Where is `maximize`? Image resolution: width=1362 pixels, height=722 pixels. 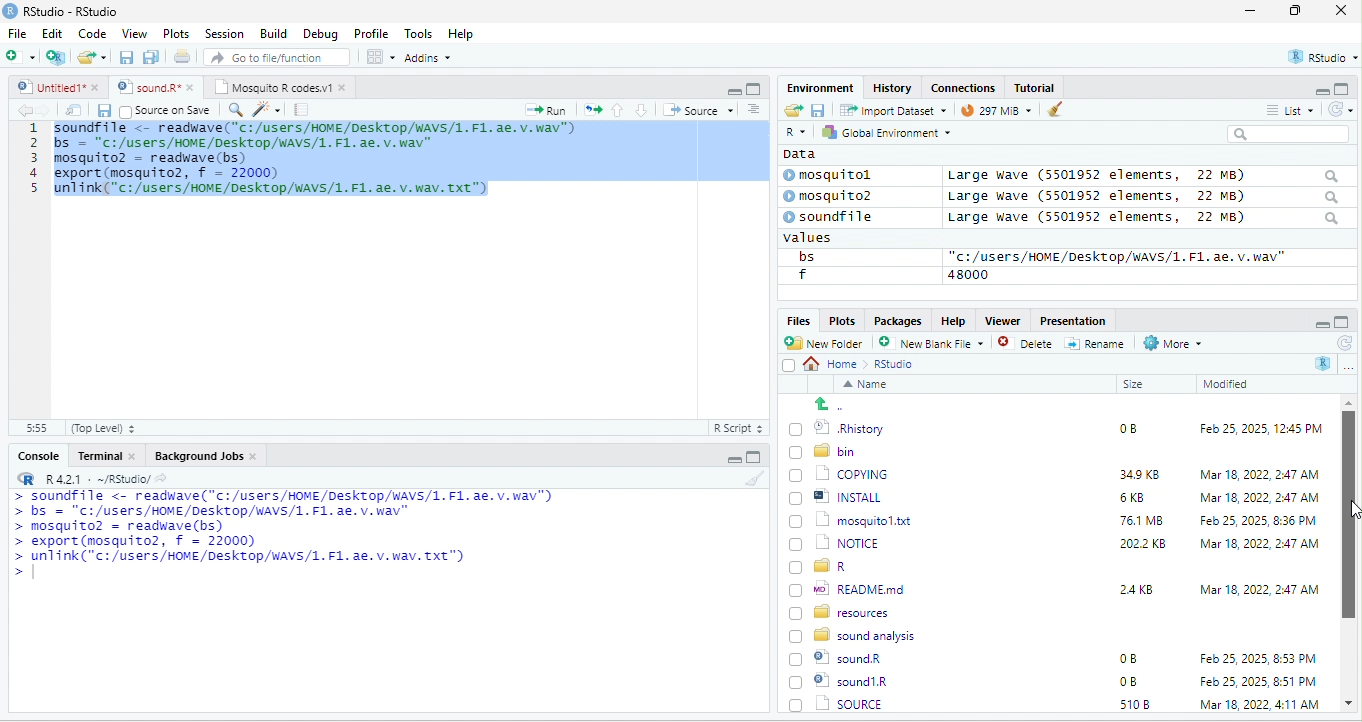
maximize is located at coordinates (753, 457).